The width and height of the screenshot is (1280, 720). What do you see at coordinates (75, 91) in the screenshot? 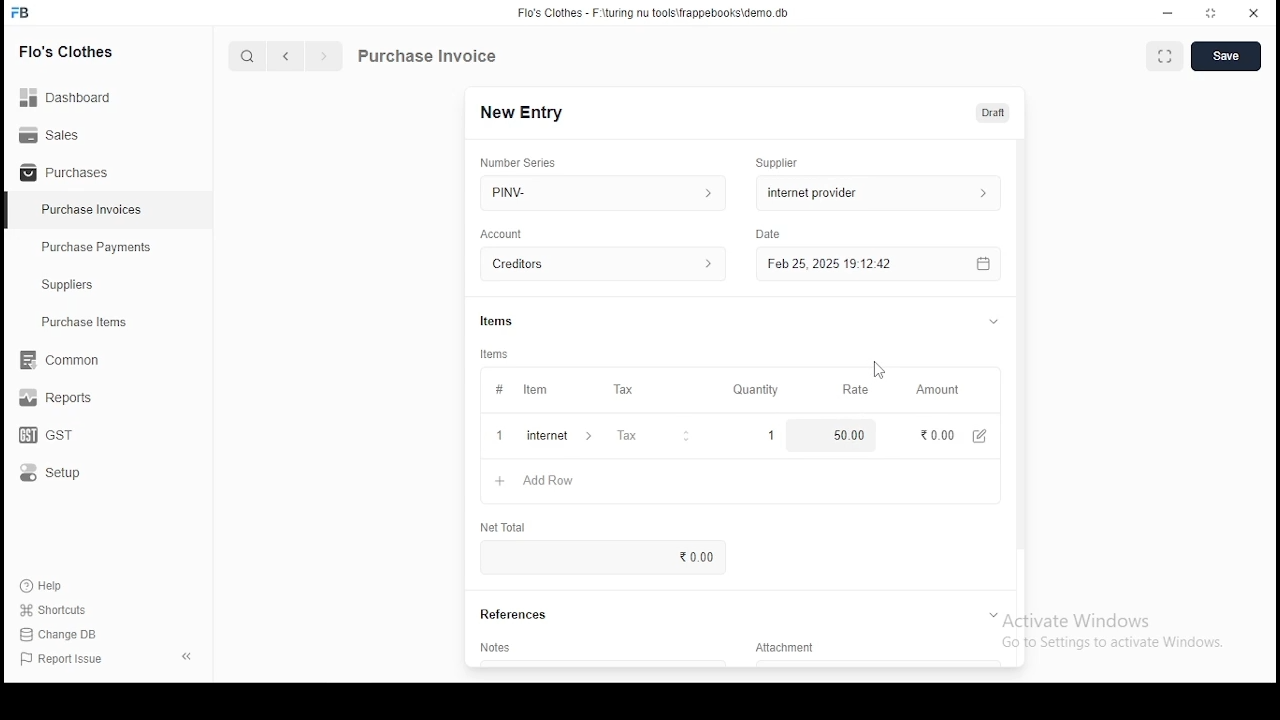
I see `dashboard` at bounding box center [75, 91].